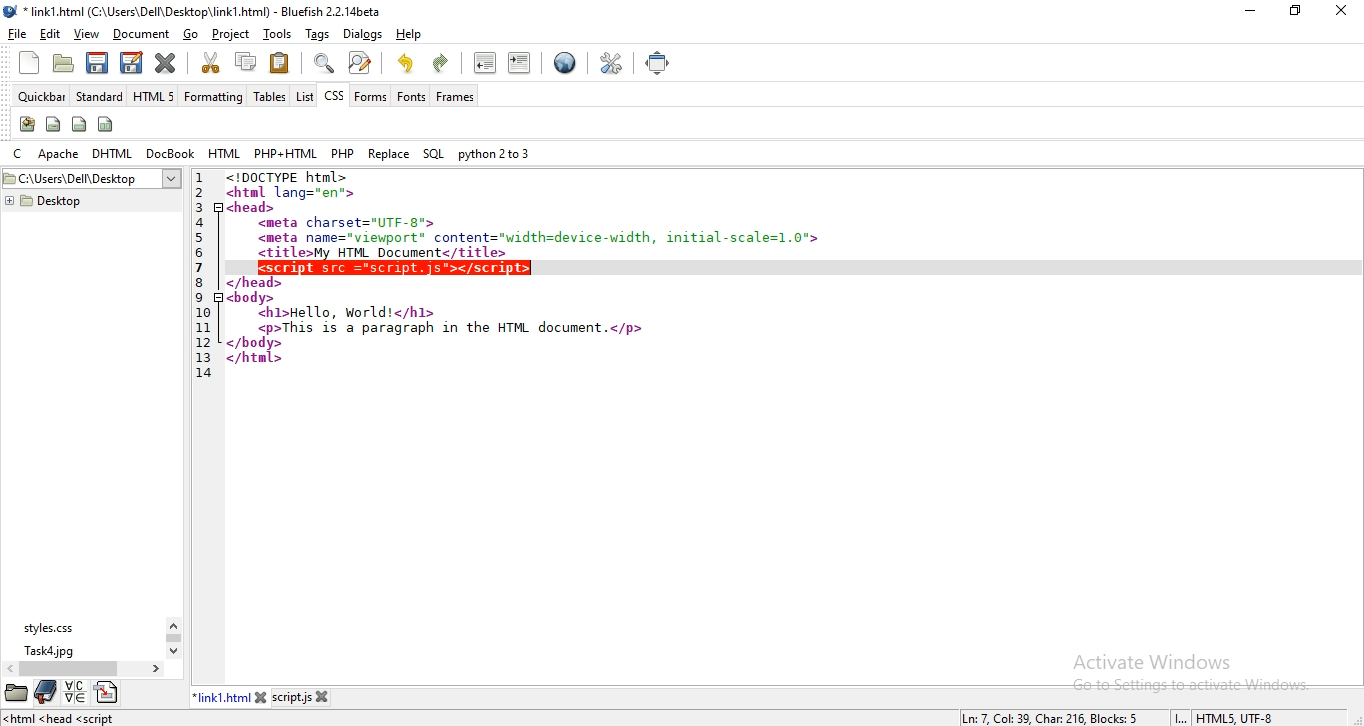  Describe the element at coordinates (1235, 717) in the screenshot. I see `text encoding` at that location.